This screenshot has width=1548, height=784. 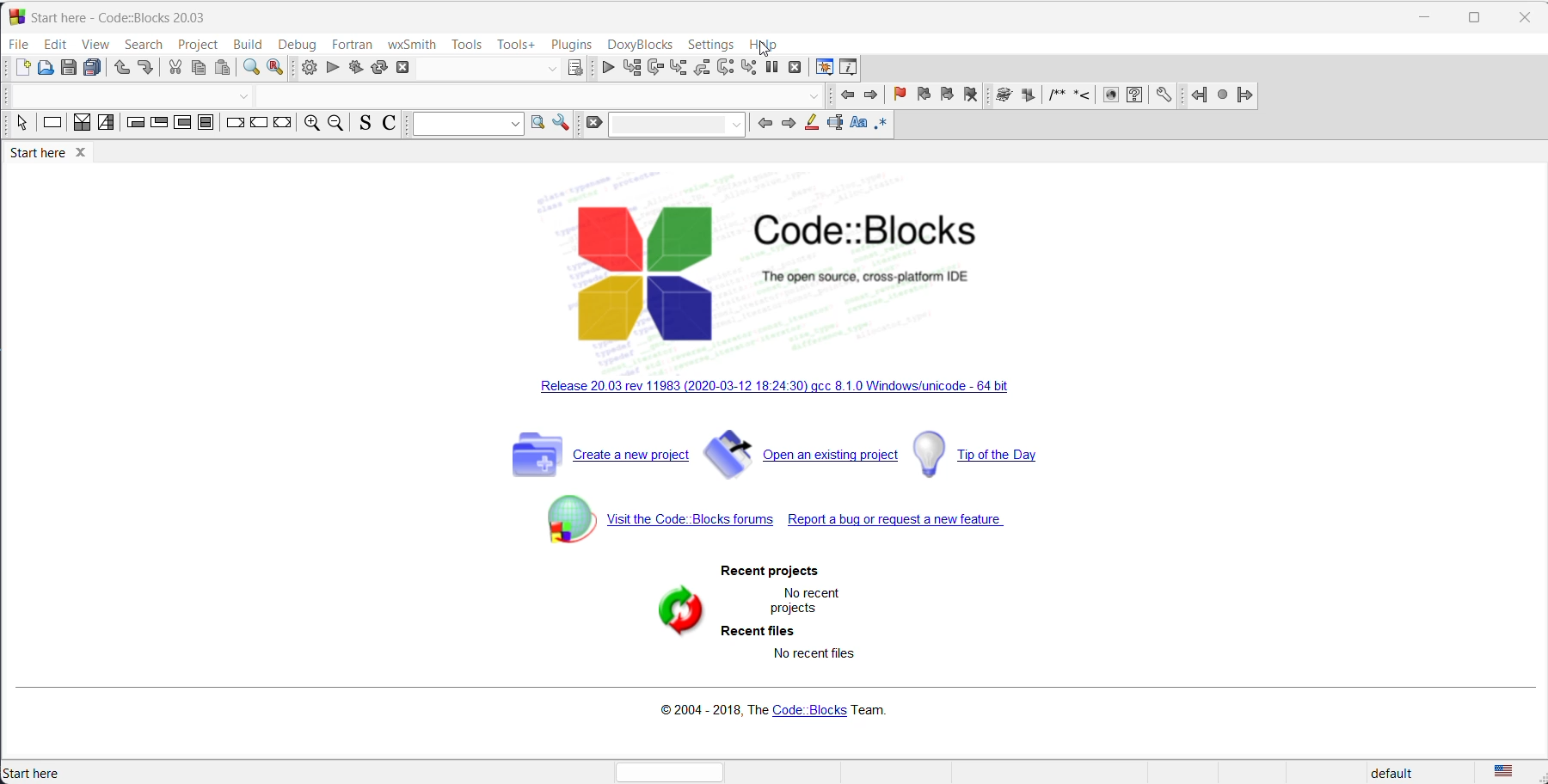 What do you see at coordinates (1248, 97) in the screenshot?
I see `jump forward` at bounding box center [1248, 97].